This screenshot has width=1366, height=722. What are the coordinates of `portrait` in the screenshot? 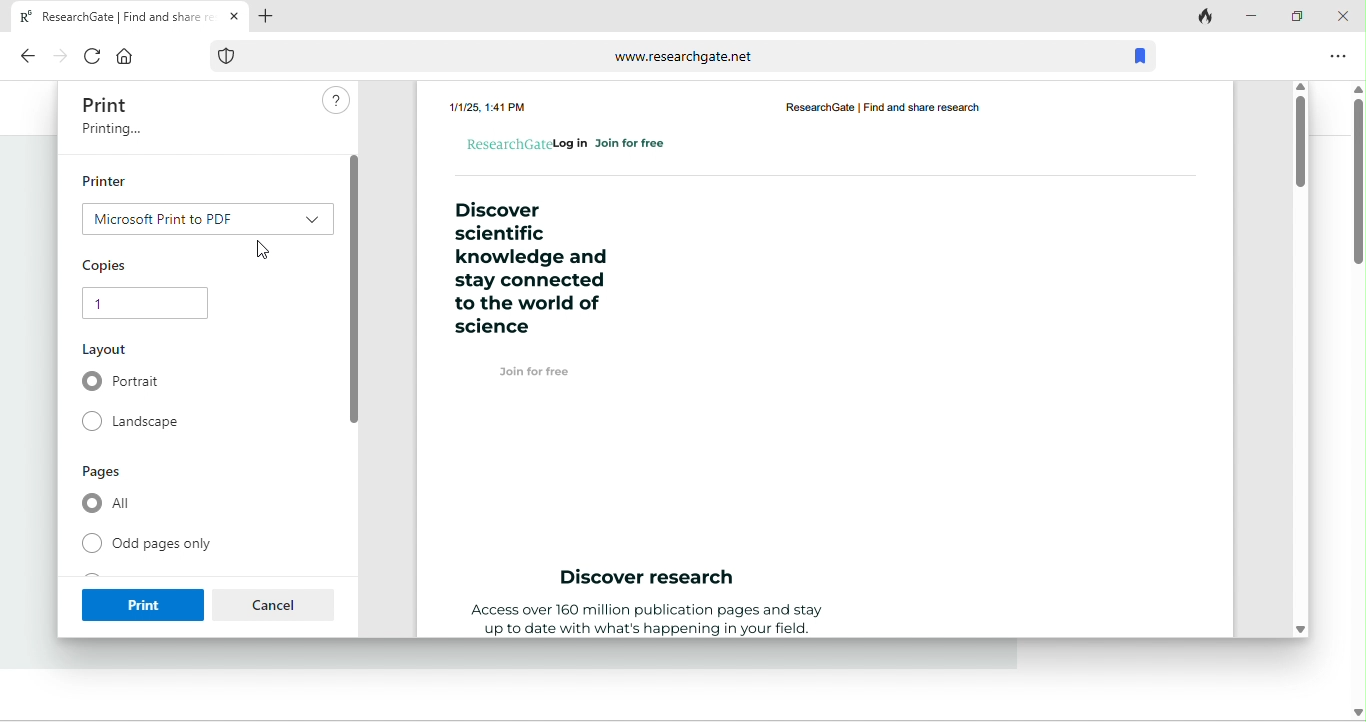 It's located at (126, 383).